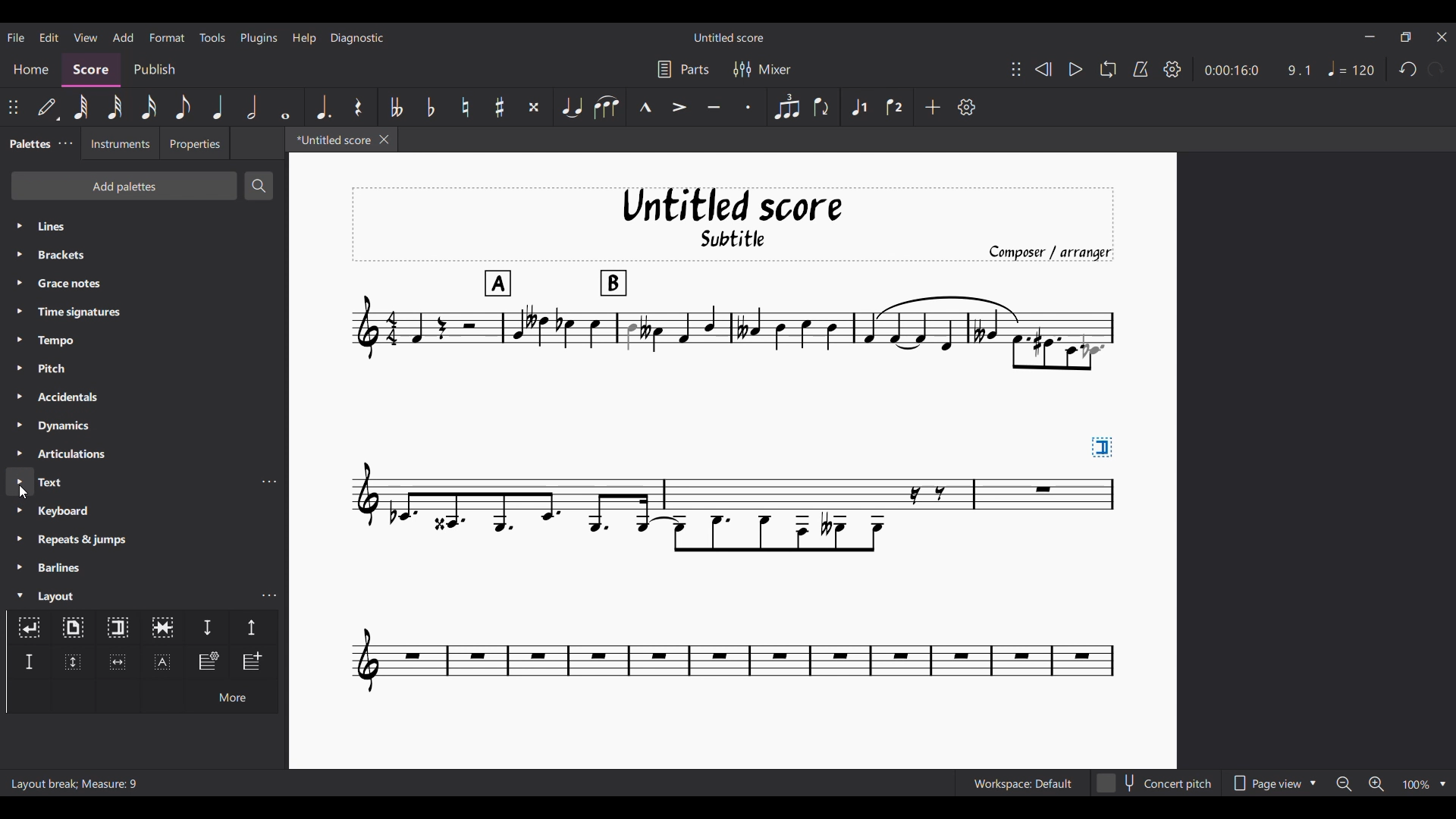 The height and width of the screenshot is (819, 1456). What do you see at coordinates (895, 107) in the screenshot?
I see `Voice 2` at bounding box center [895, 107].